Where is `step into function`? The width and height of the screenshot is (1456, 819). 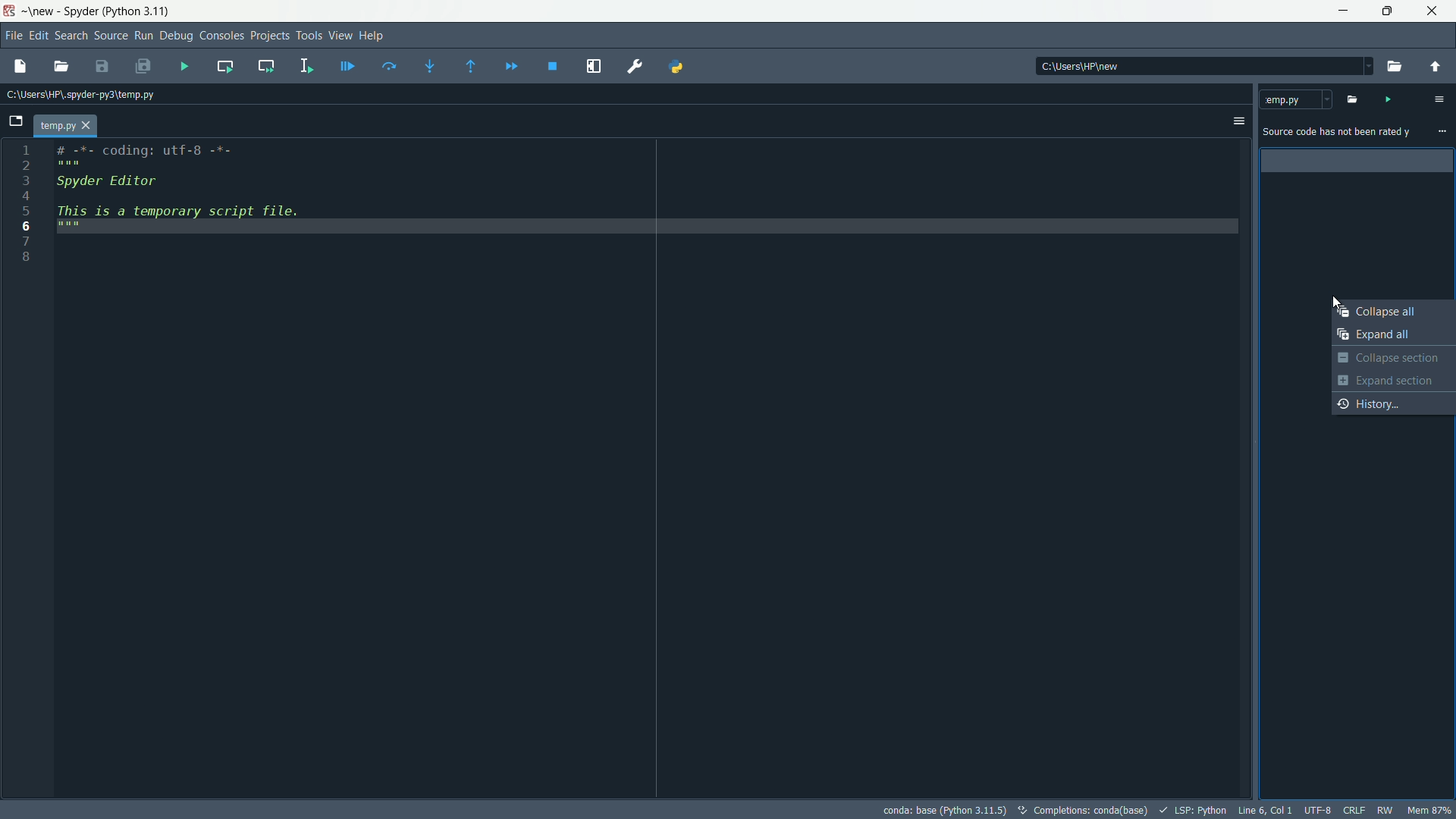 step into function is located at coordinates (431, 66).